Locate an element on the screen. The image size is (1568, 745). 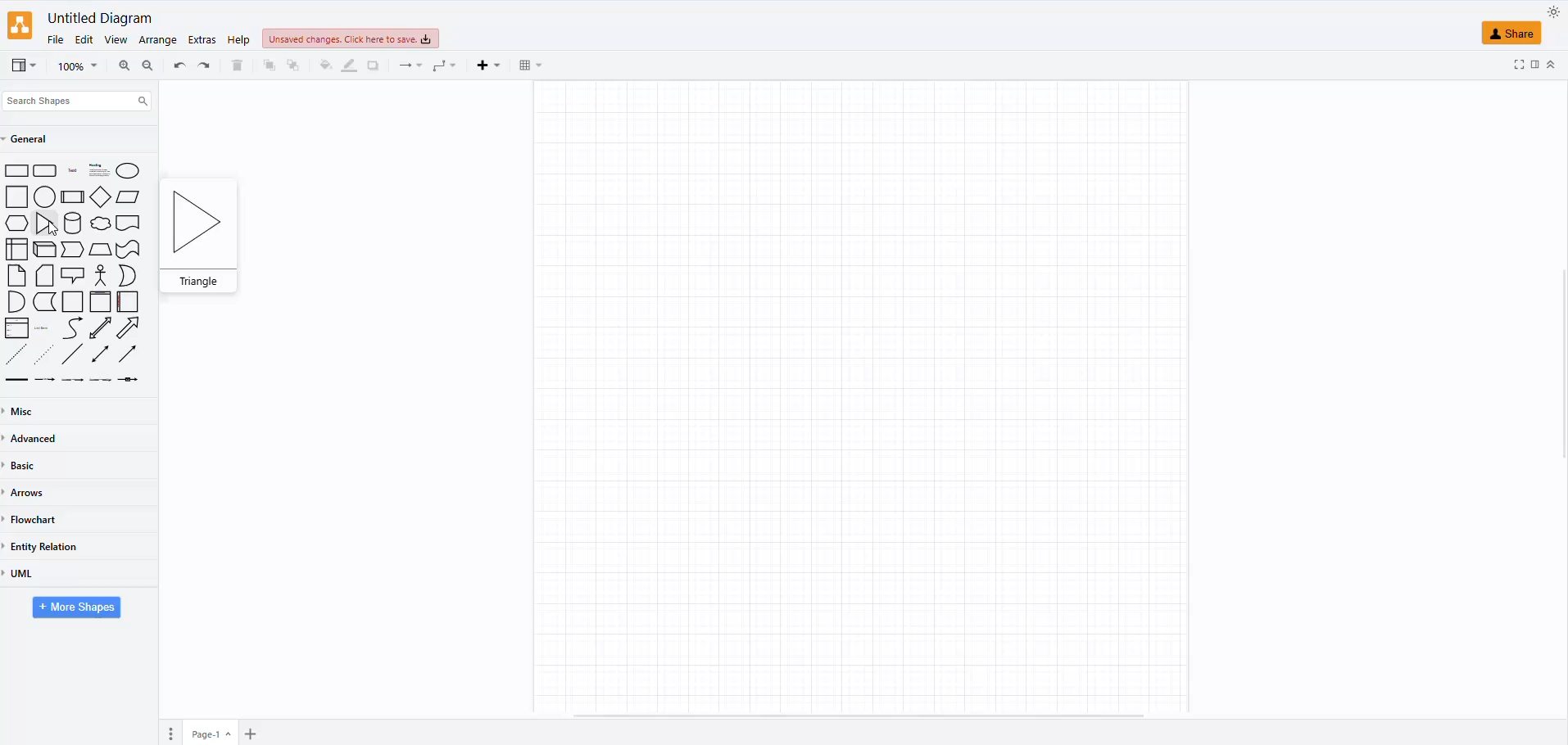
undo is located at coordinates (205, 65).